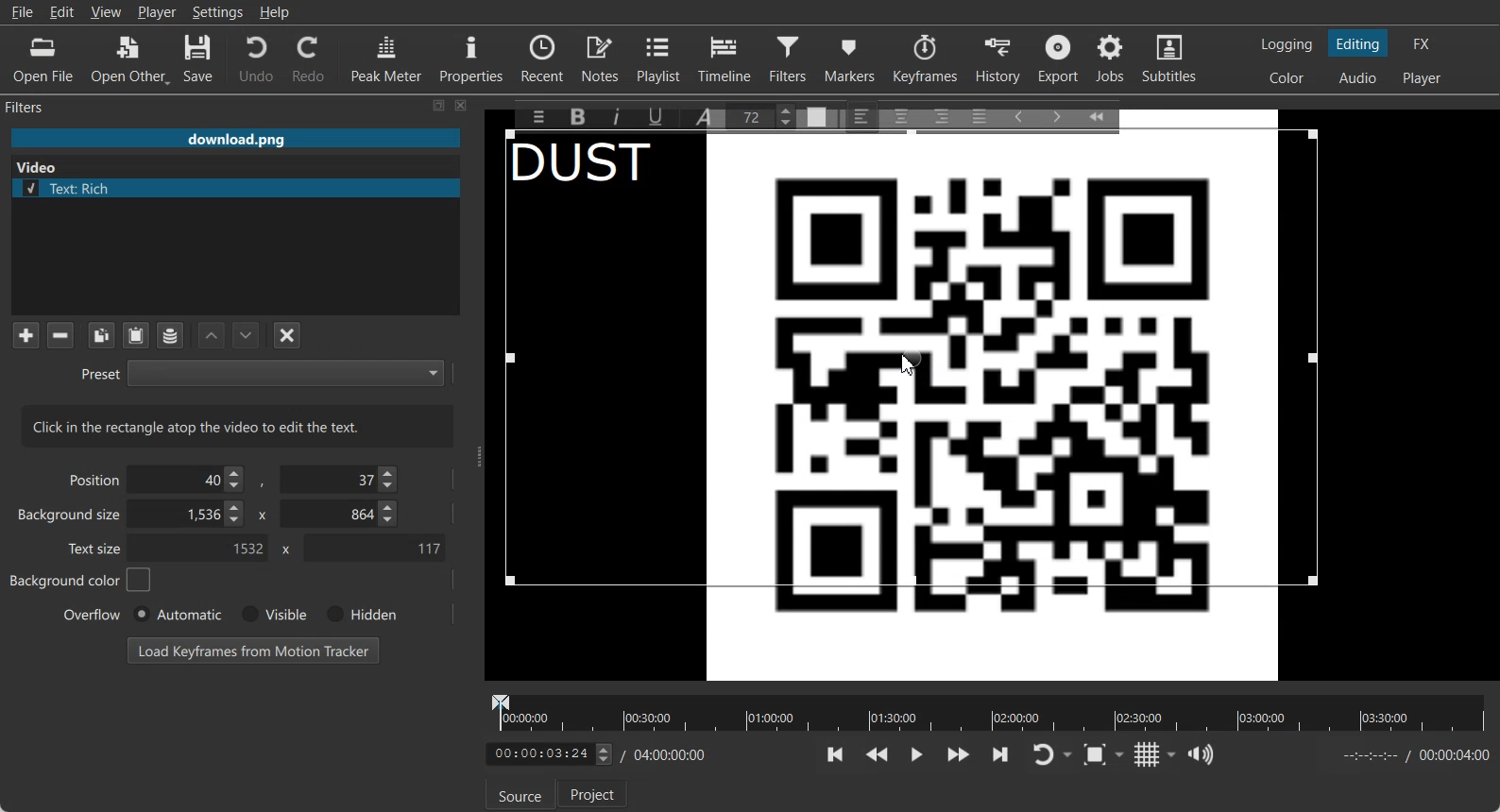  I want to click on Text Frame, so click(991, 407).